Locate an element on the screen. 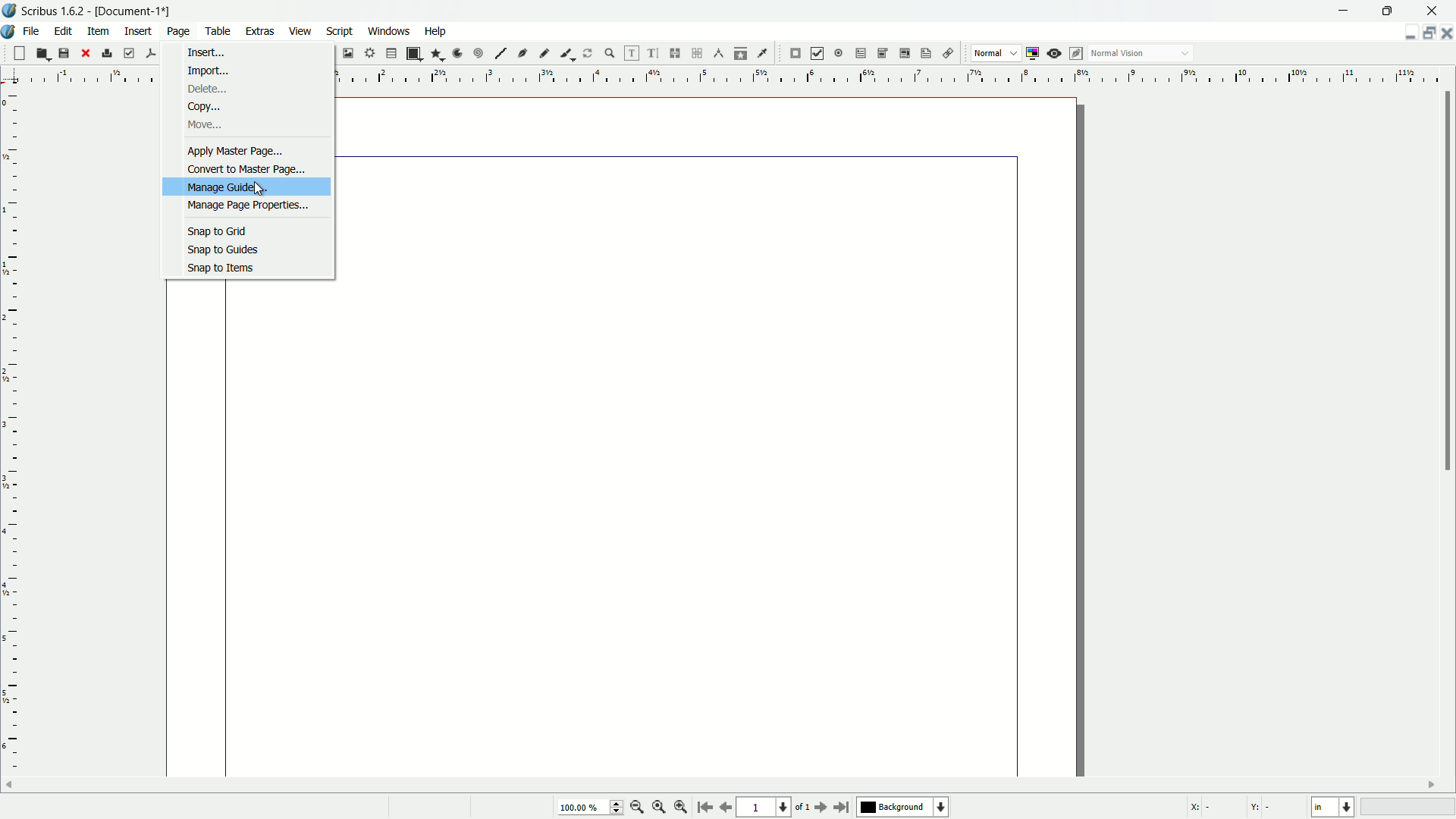  edit text with story editor is located at coordinates (654, 54).